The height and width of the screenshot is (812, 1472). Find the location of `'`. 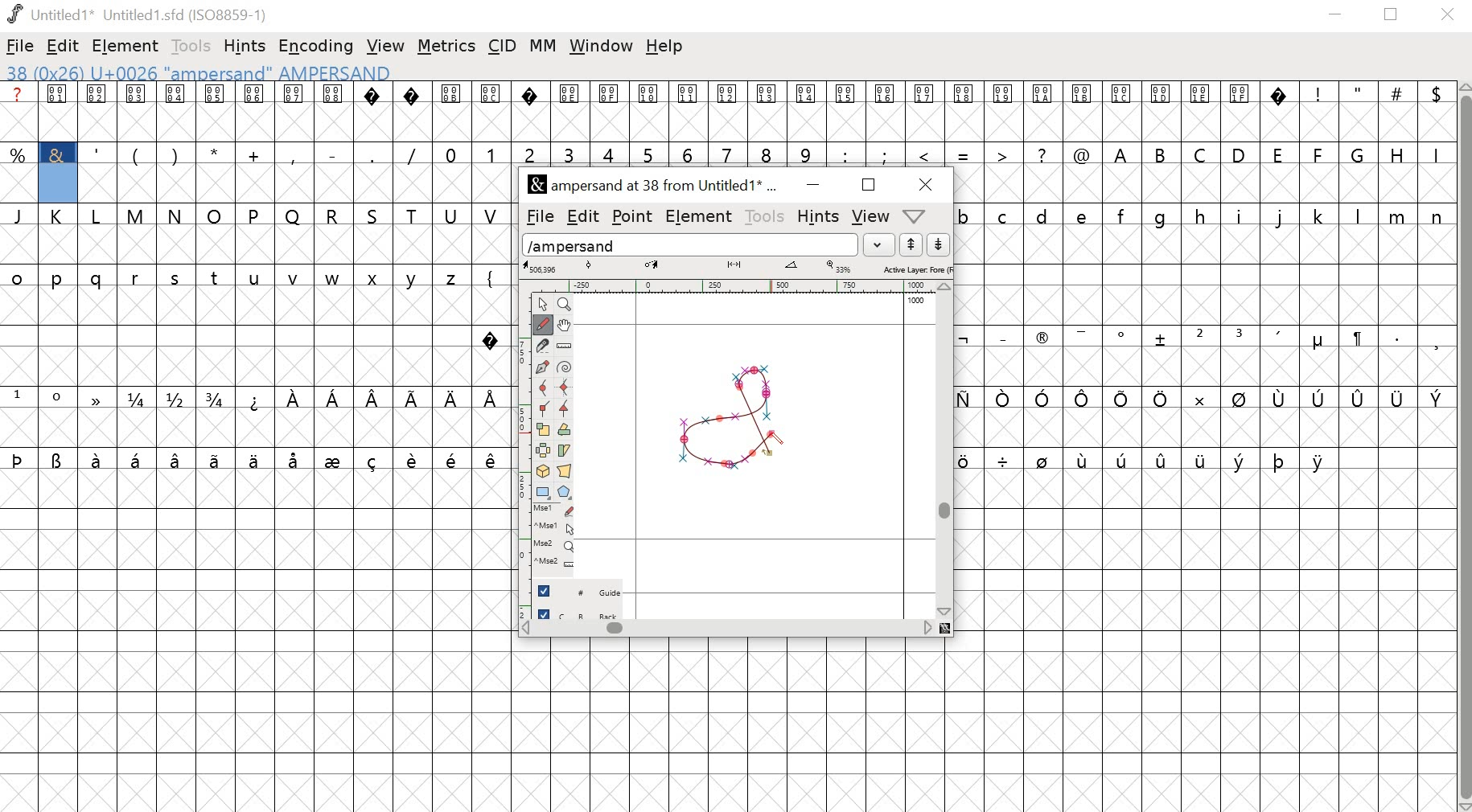

' is located at coordinates (98, 153).